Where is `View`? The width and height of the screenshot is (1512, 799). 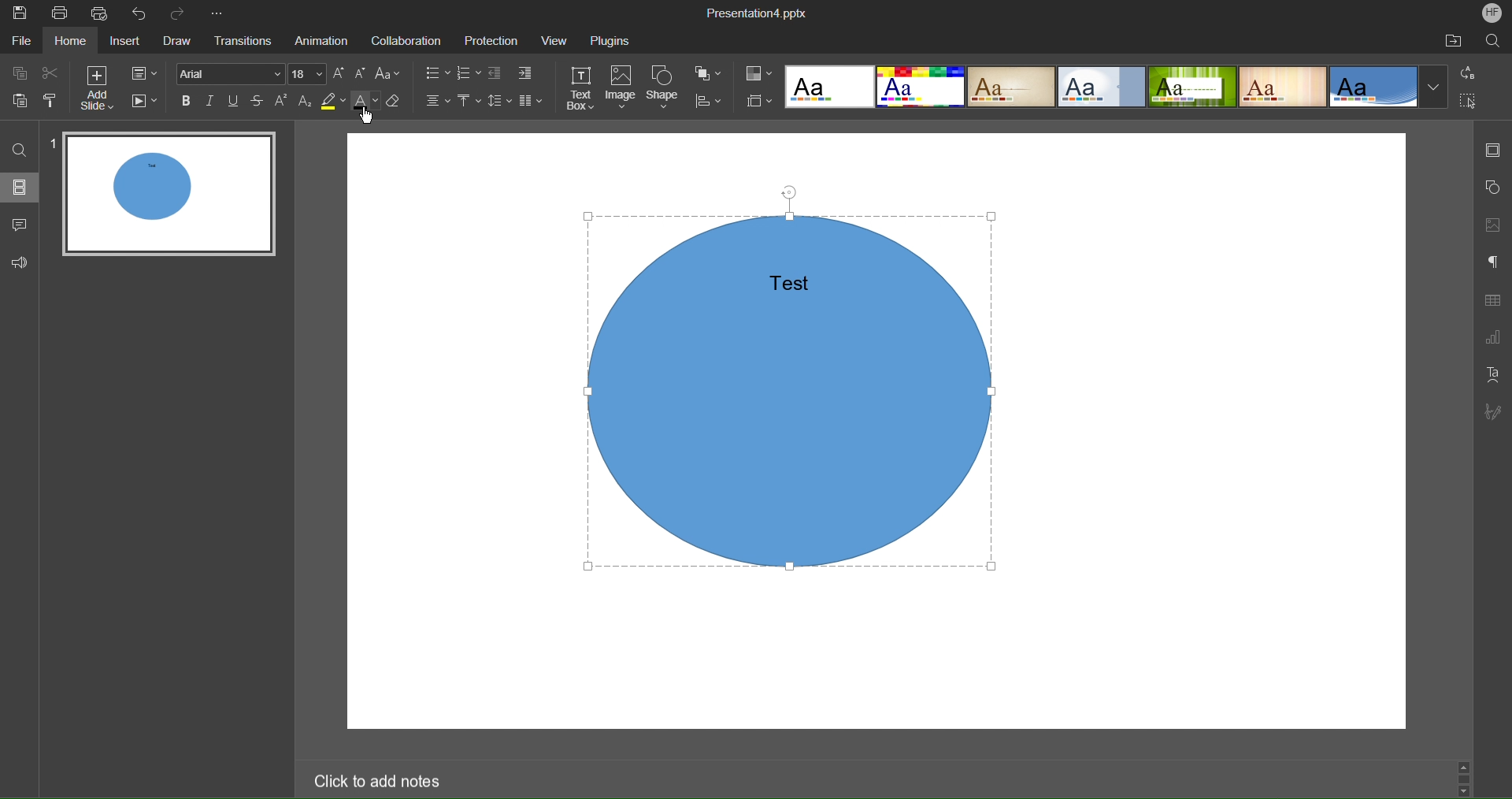 View is located at coordinates (557, 41).